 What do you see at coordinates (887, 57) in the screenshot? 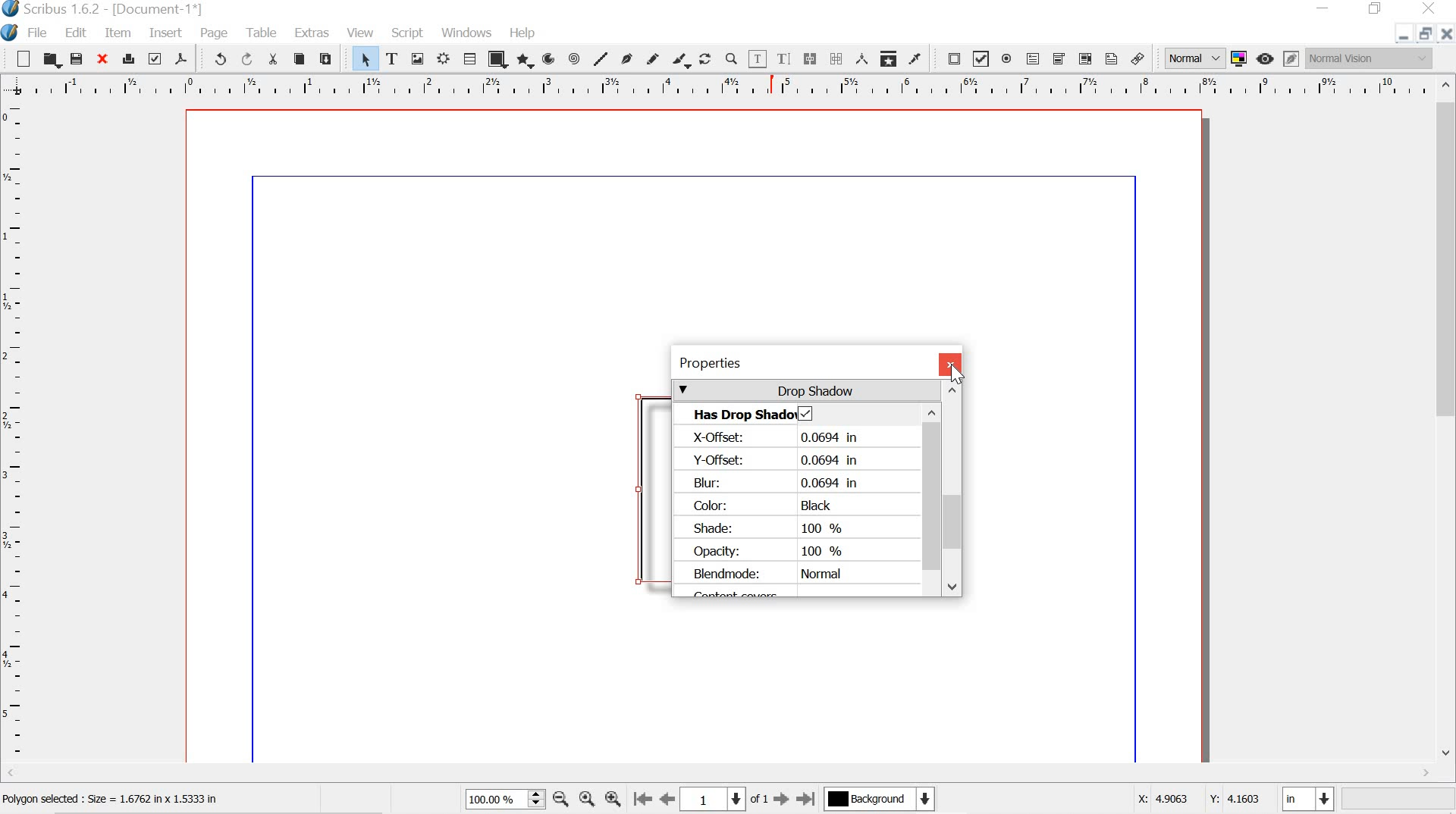
I see `copy item properties` at bounding box center [887, 57].